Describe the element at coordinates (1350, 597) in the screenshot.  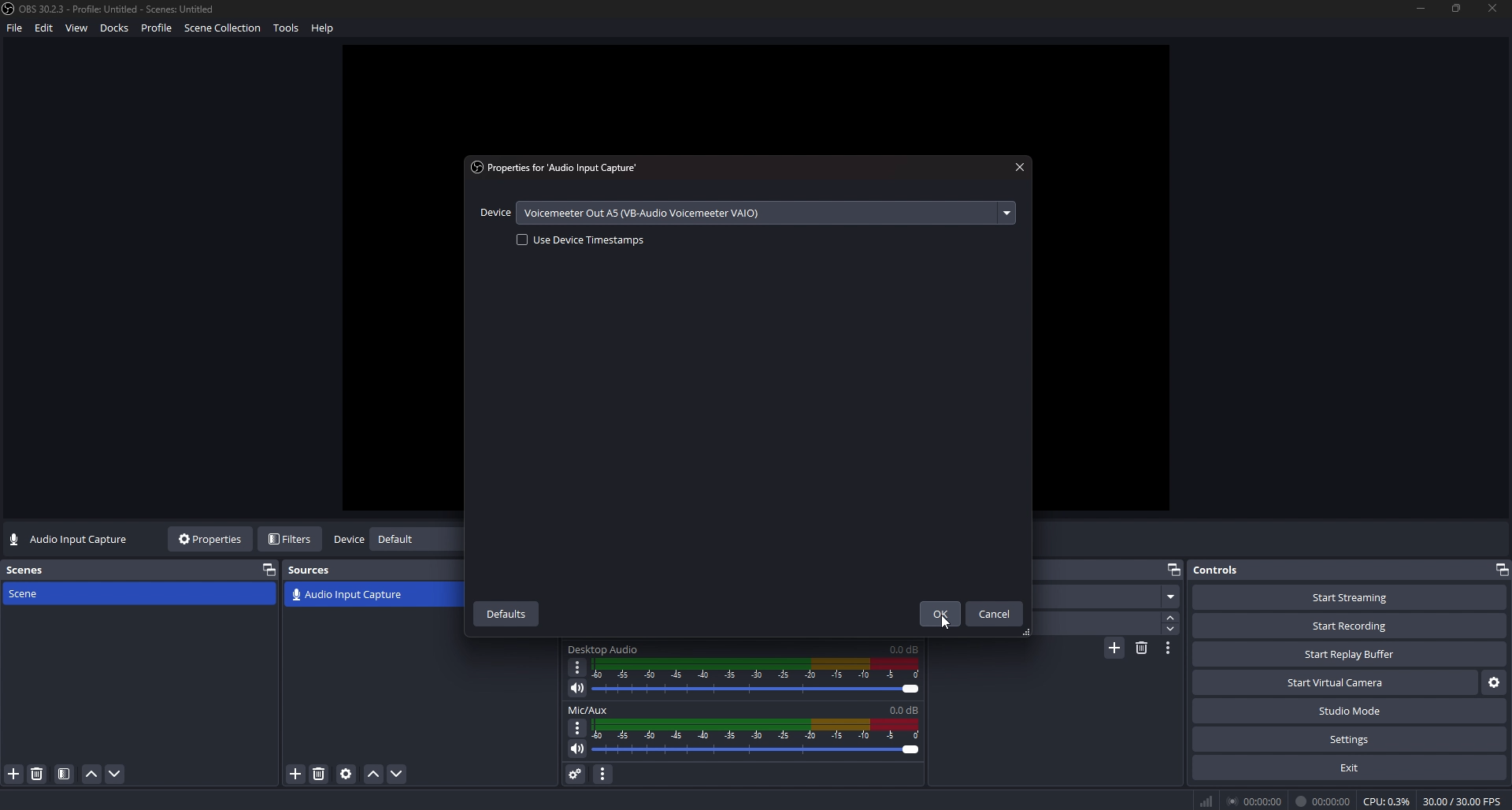
I see `start streaming` at that location.